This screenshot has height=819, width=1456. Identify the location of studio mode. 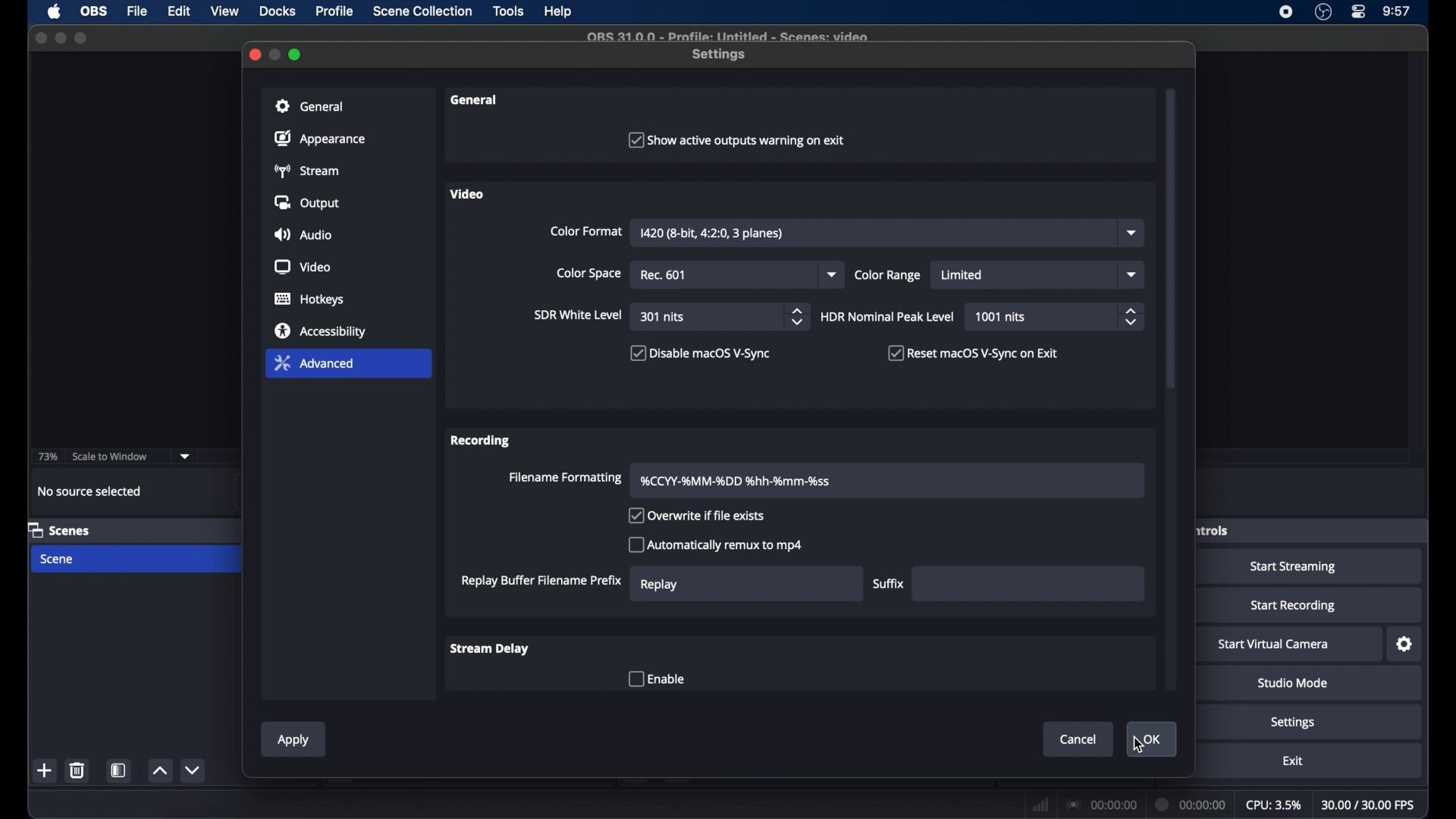
(1294, 683).